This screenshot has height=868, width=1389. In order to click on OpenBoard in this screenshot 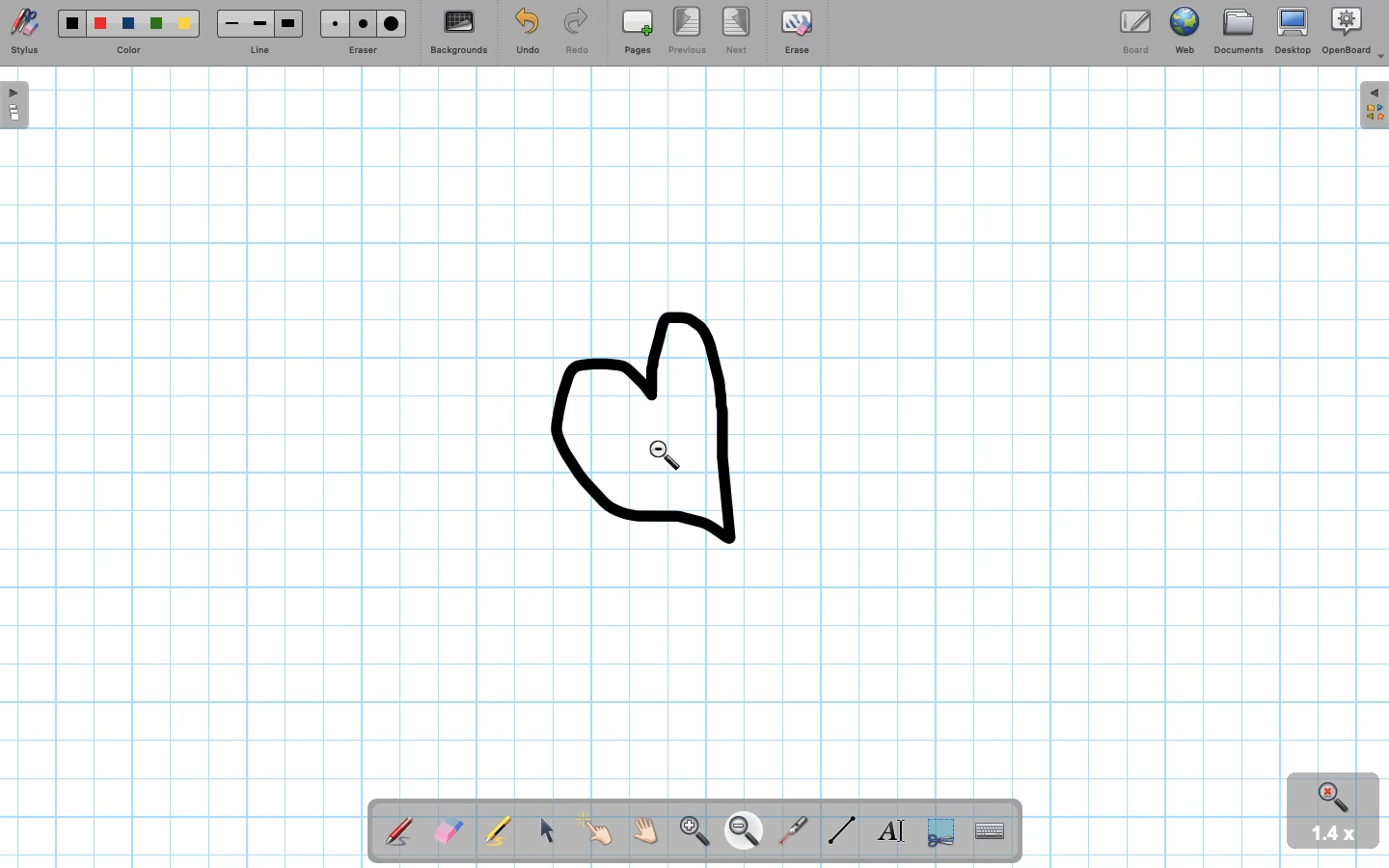, I will do `click(1353, 34)`.